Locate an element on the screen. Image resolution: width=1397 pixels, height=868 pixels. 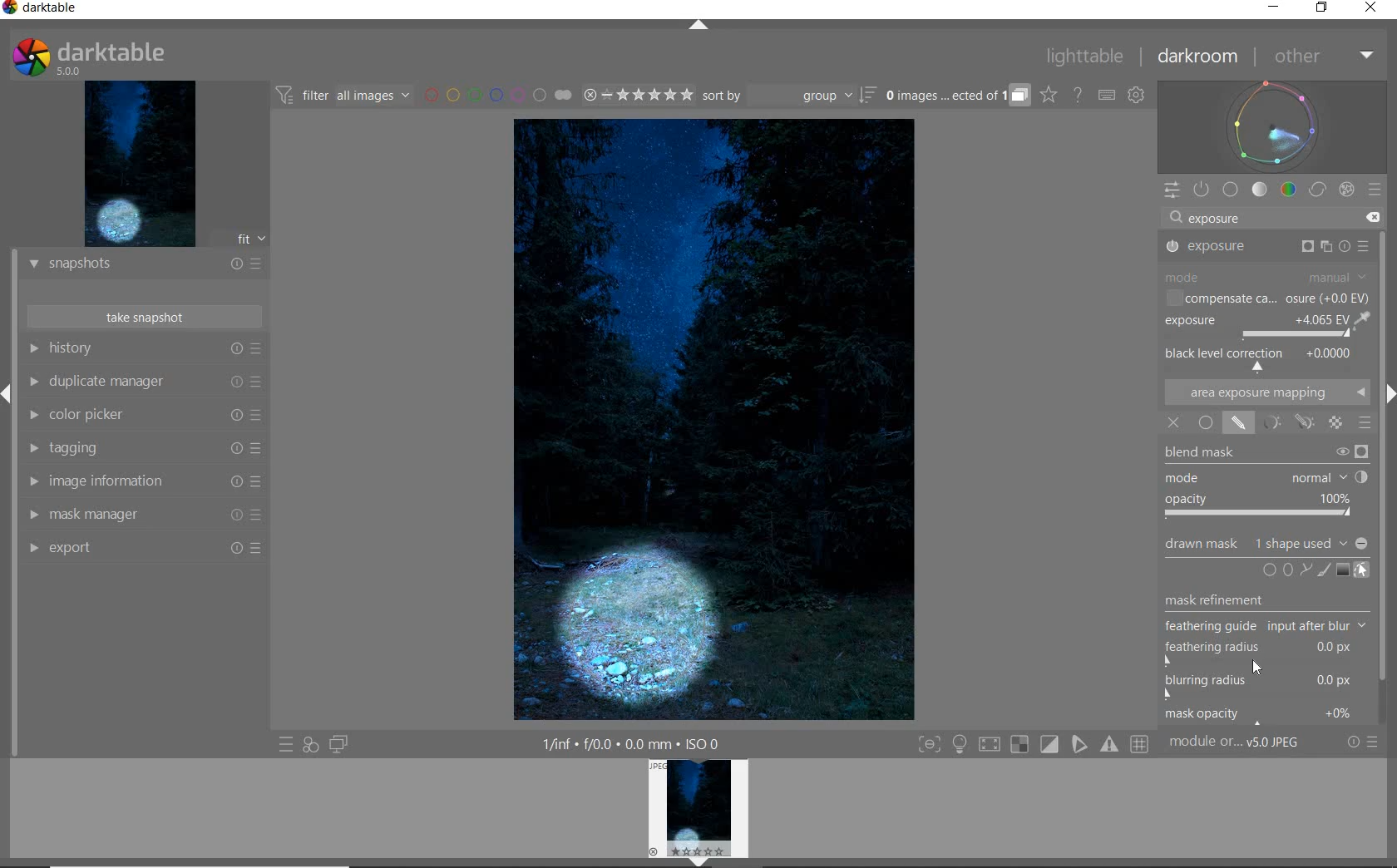
EXPORT is located at coordinates (144, 550).